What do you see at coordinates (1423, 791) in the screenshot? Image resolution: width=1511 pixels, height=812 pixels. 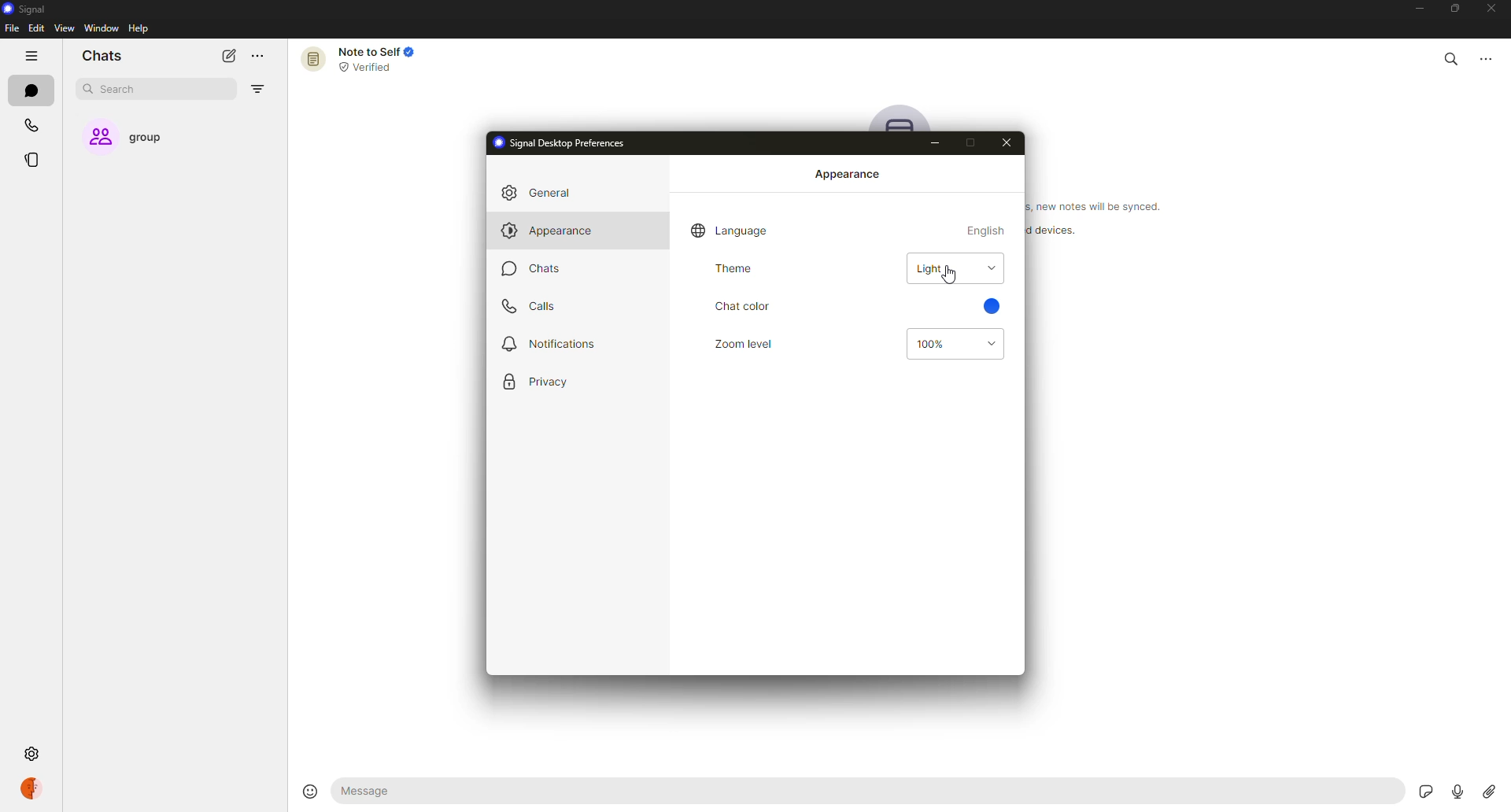 I see `stickers` at bounding box center [1423, 791].